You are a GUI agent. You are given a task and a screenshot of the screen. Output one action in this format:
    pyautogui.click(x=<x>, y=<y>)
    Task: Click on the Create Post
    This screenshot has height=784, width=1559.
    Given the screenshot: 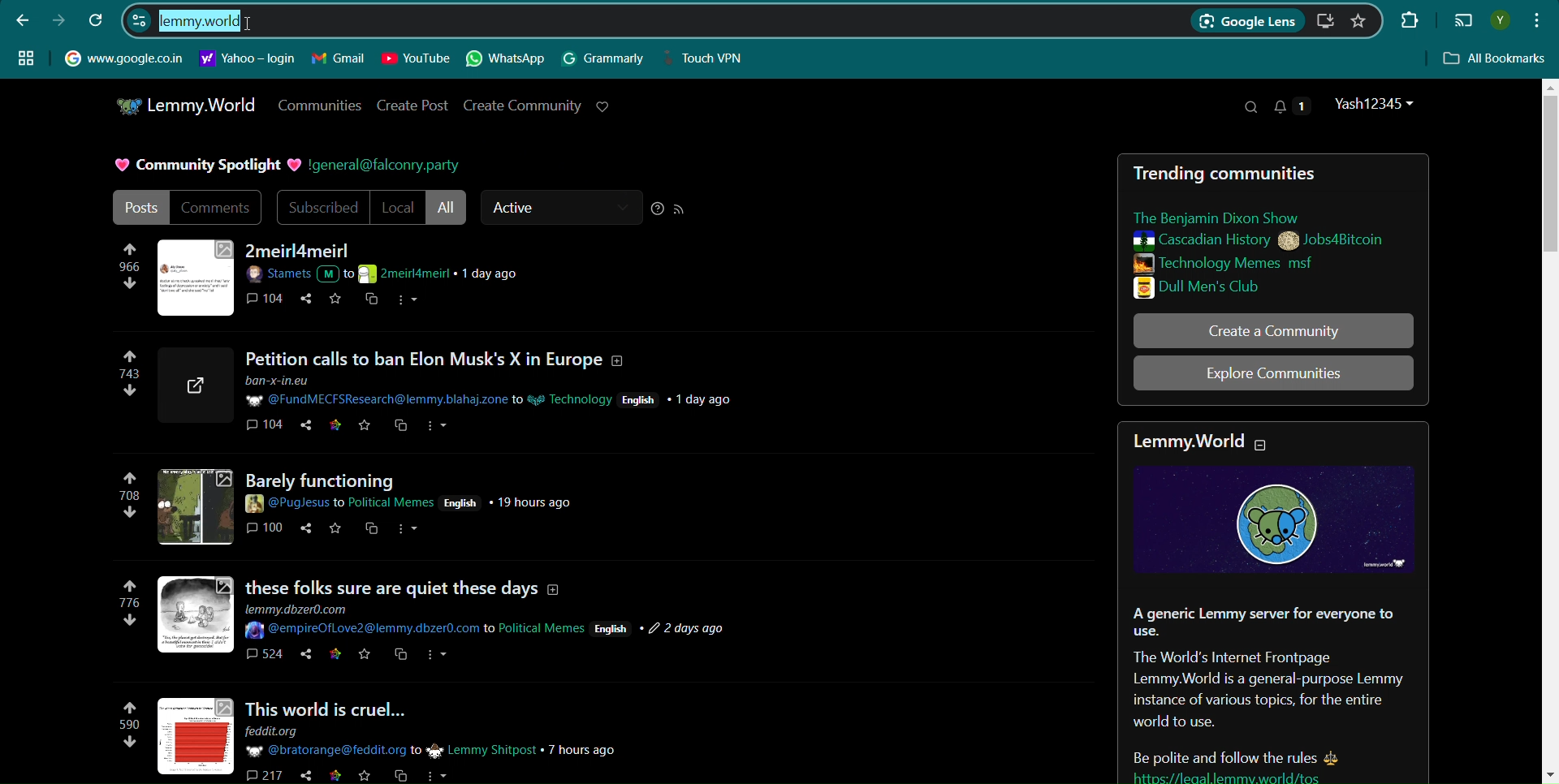 What is the action you would take?
    pyautogui.click(x=414, y=106)
    